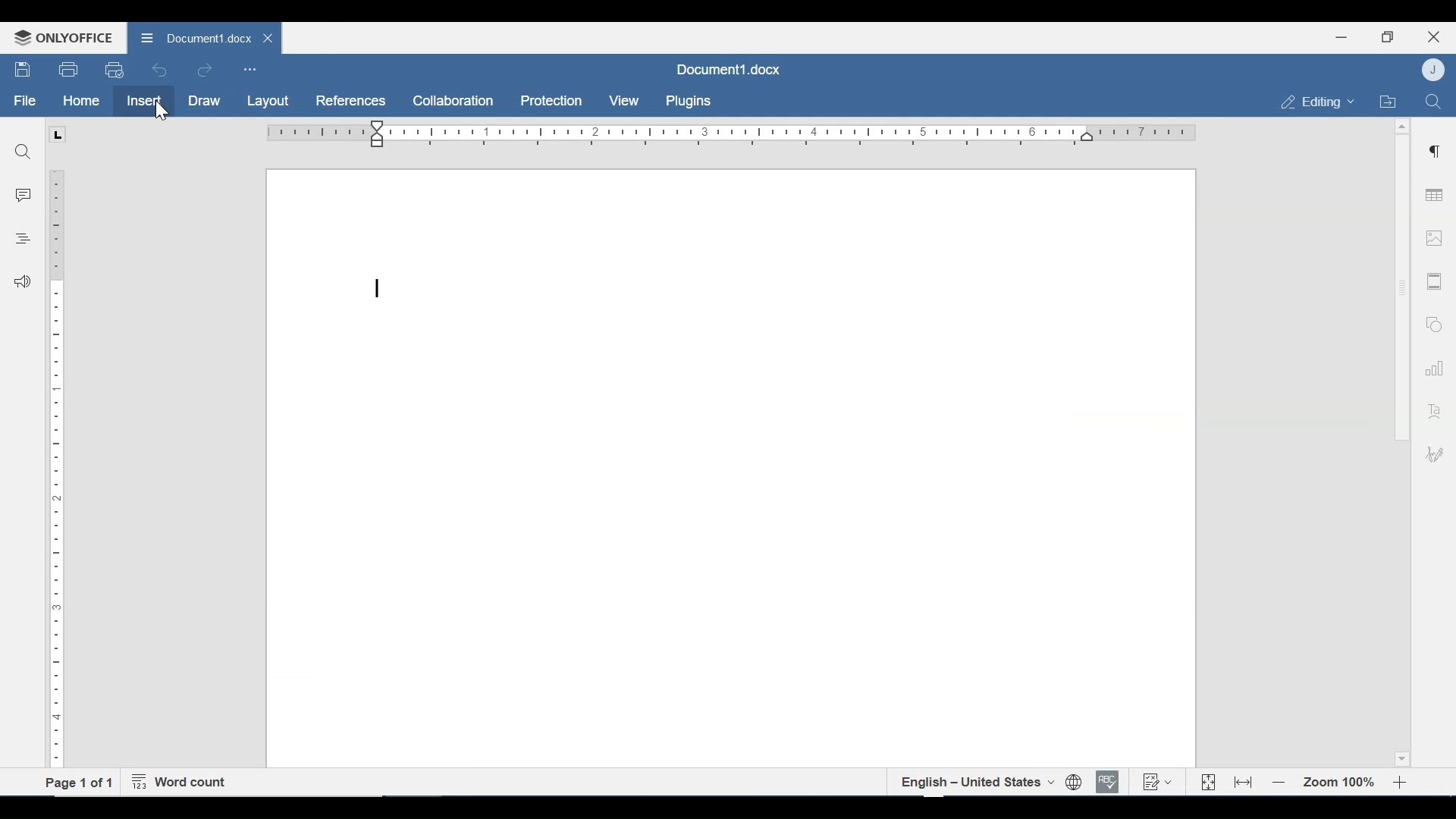 This screenshot has height=819, width=1456. I want to click on Header and Footer, so click(1435, 282).